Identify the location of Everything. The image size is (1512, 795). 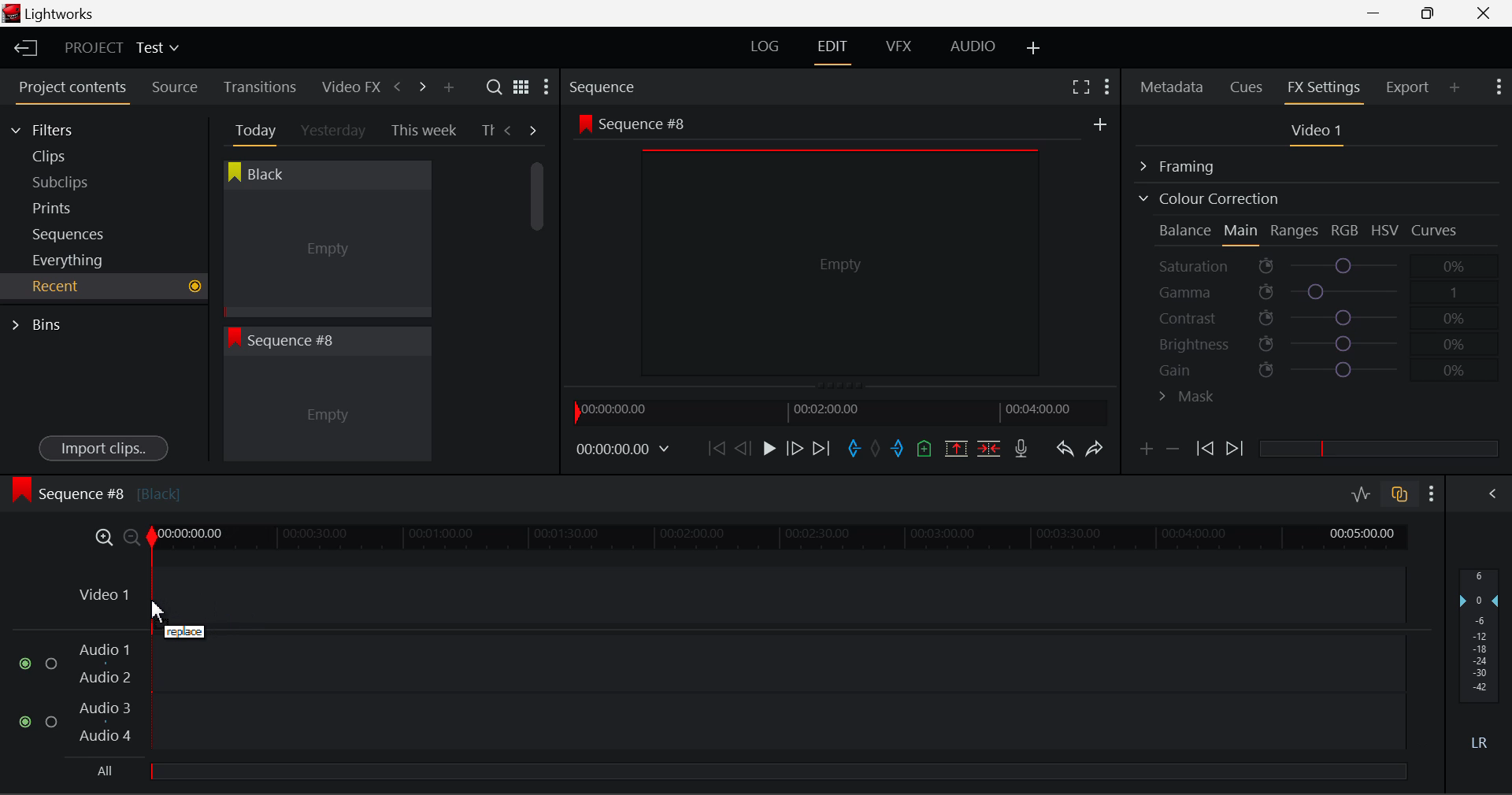
(70, 260).